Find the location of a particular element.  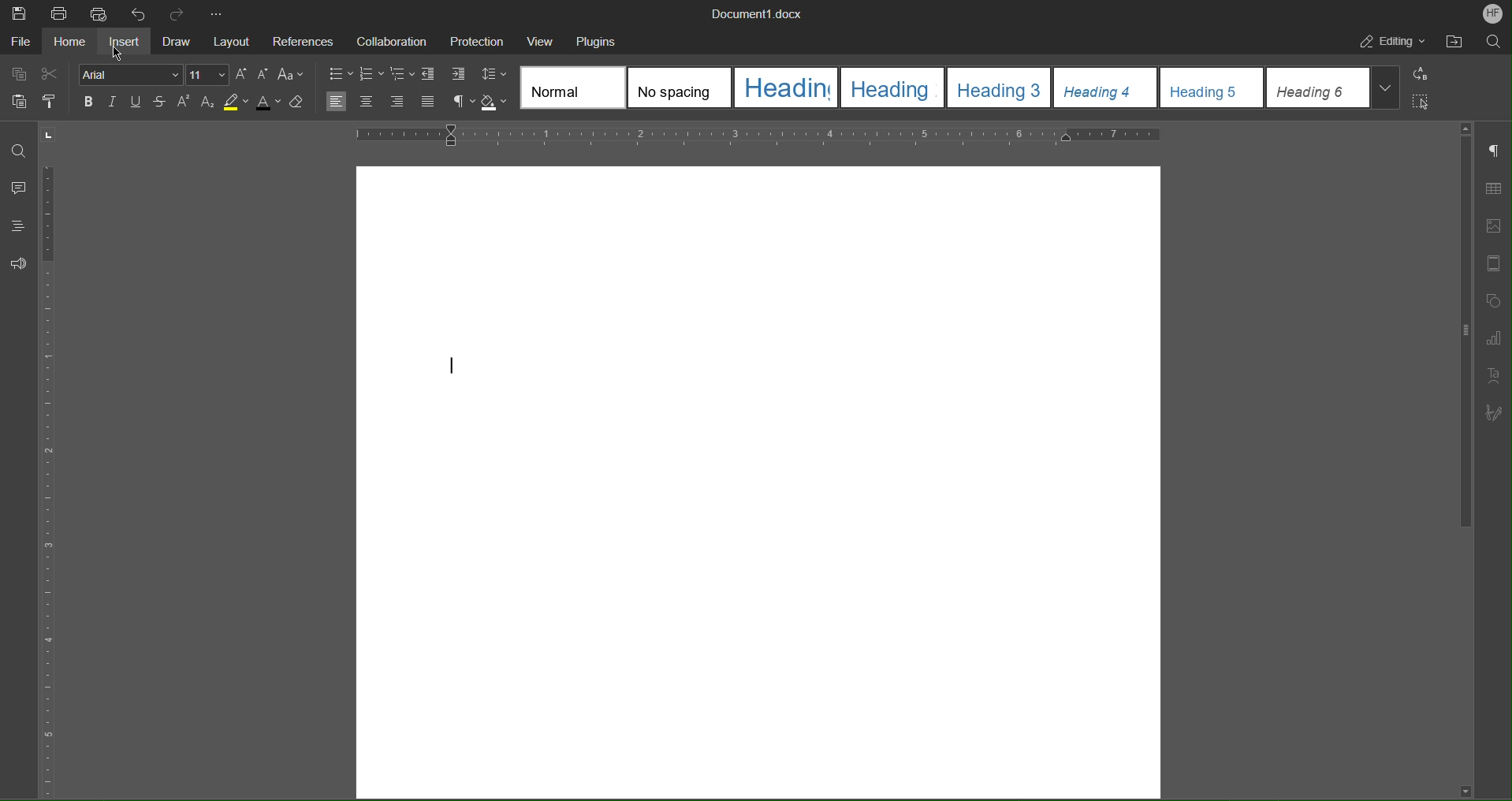

Justify is located at coordinates (427, 102).